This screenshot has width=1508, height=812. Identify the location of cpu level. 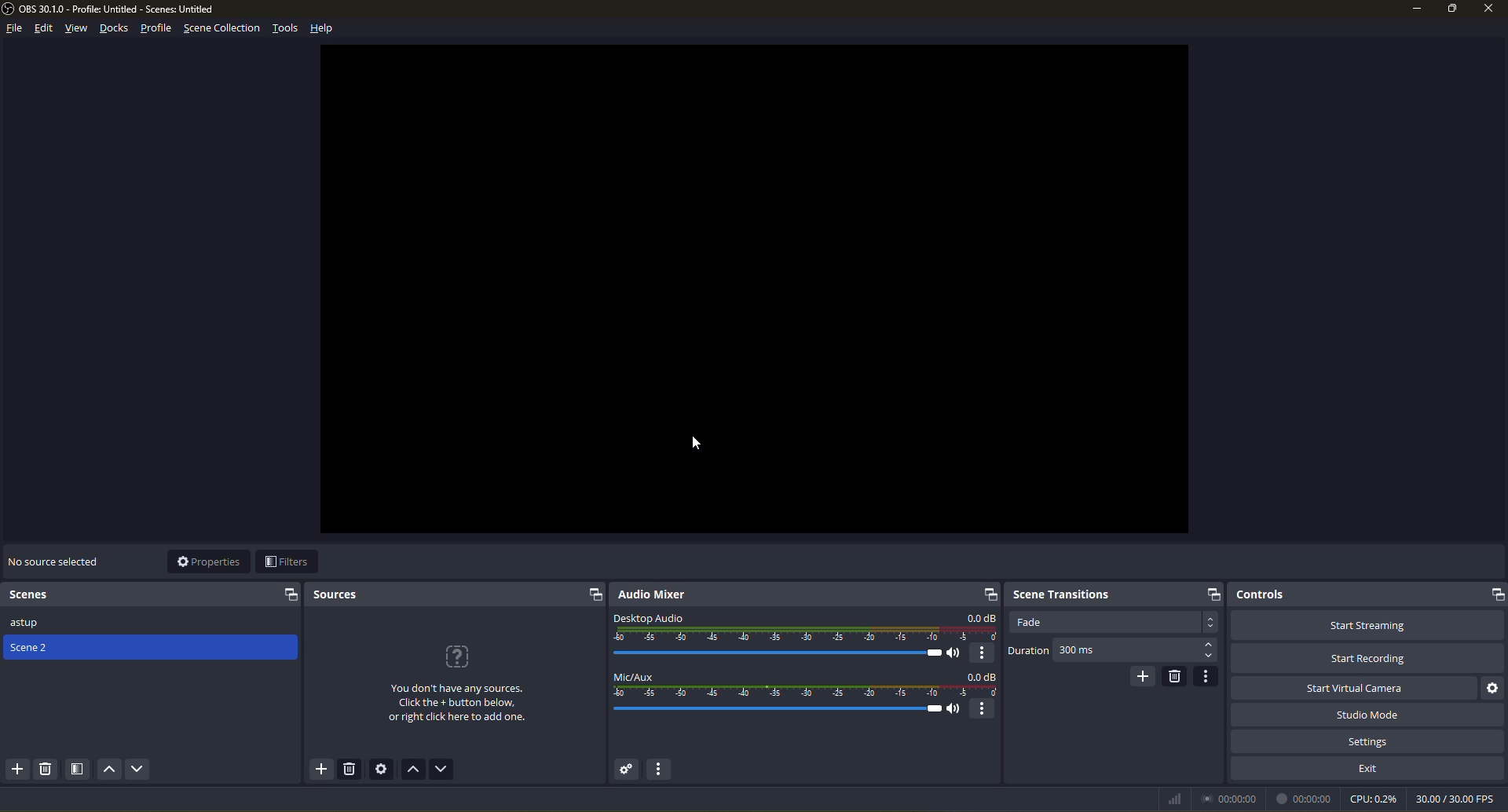
(1374, 798).